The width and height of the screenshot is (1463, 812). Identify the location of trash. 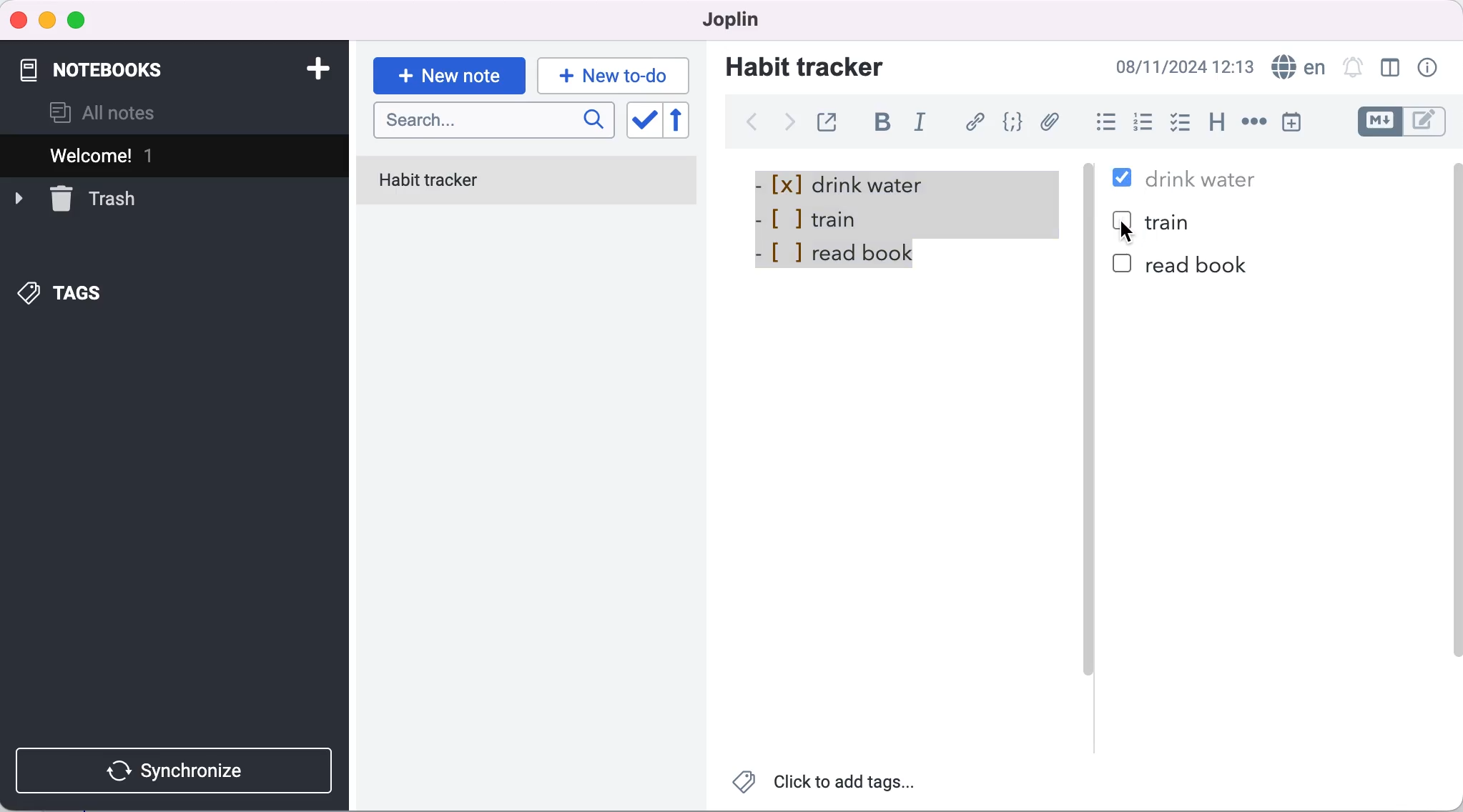
(75, 197).